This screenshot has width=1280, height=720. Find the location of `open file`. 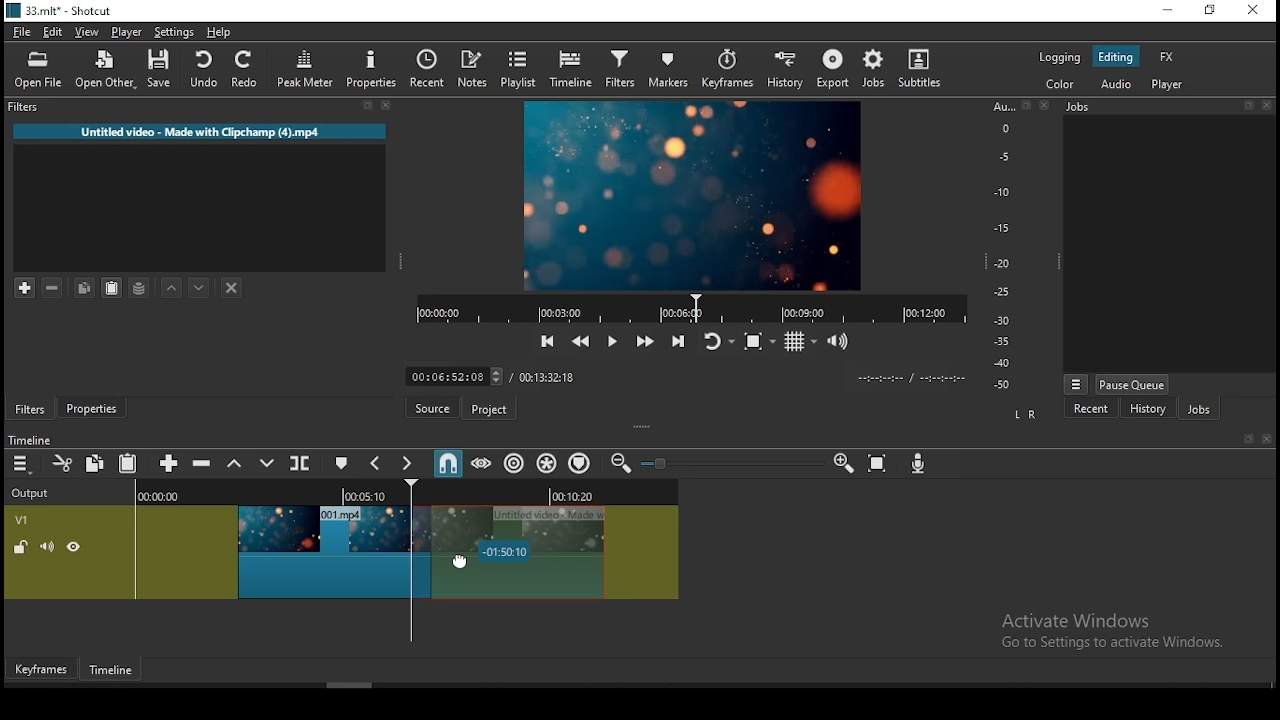

open file is located at coordinates (39, 71).